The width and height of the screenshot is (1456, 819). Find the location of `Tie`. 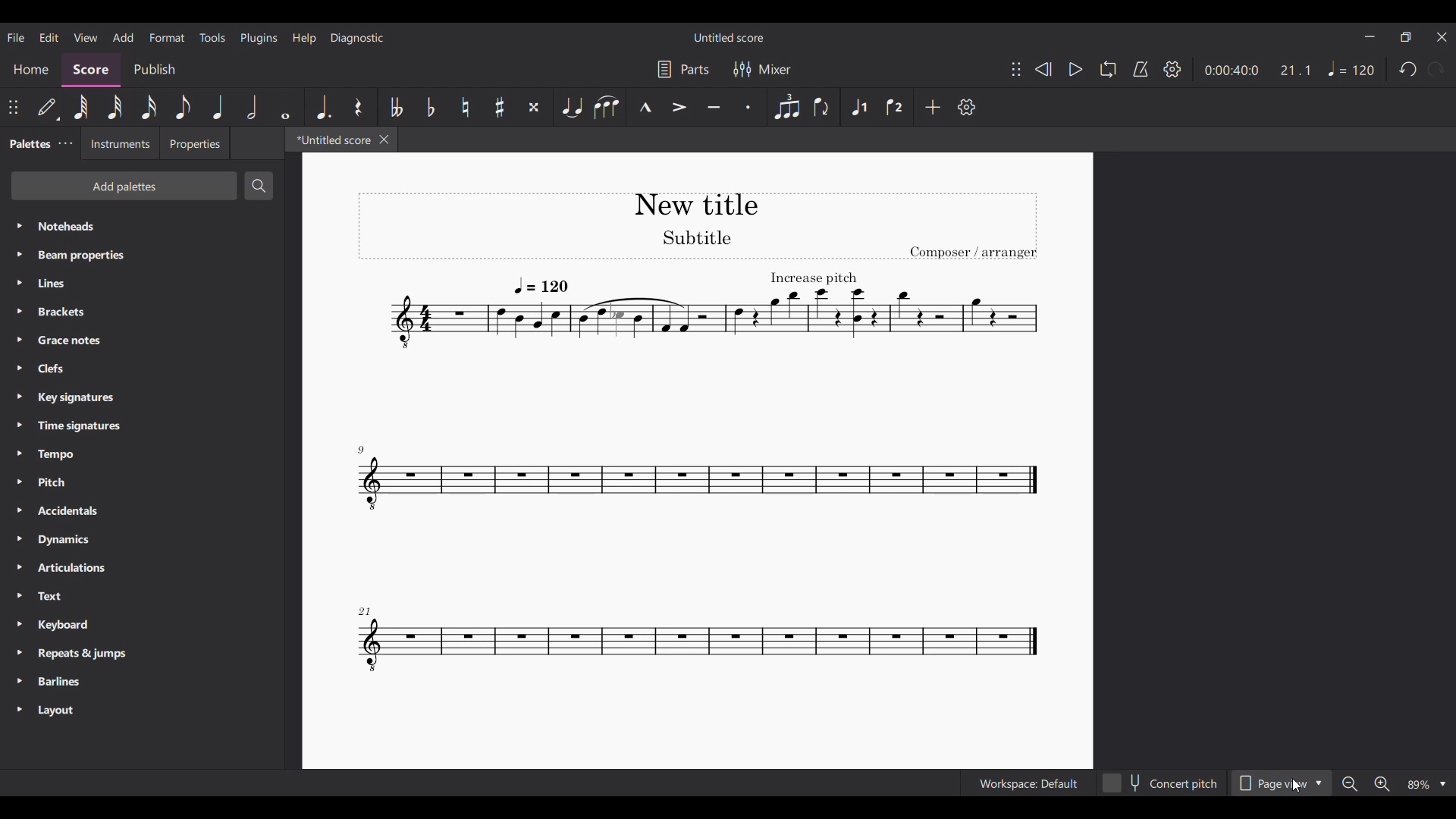

Tie is located at coordinates (570, 107).